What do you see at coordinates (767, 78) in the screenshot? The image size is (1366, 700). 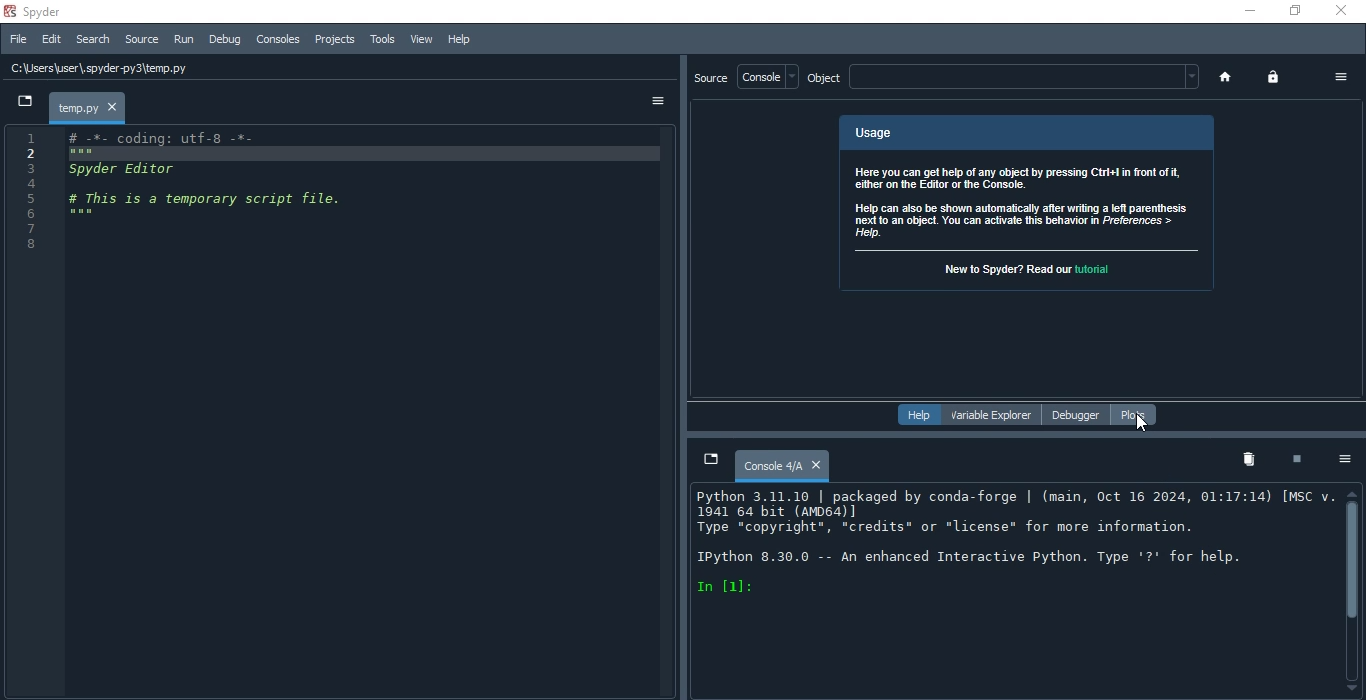 I see `console` at bounding box center [767, 78].